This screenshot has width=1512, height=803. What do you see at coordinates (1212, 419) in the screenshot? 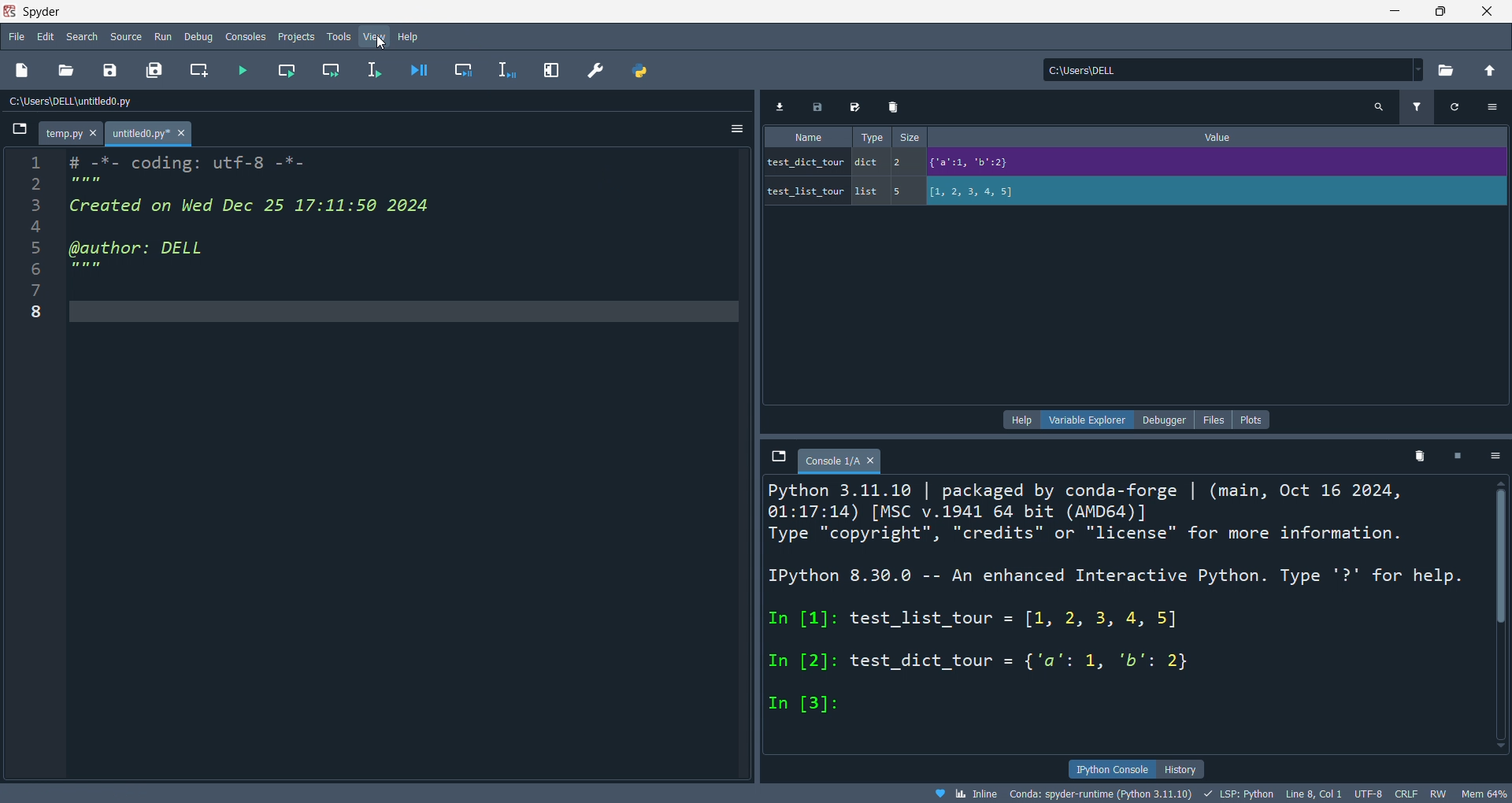
I see `files` at bounding box center [1212, 419].